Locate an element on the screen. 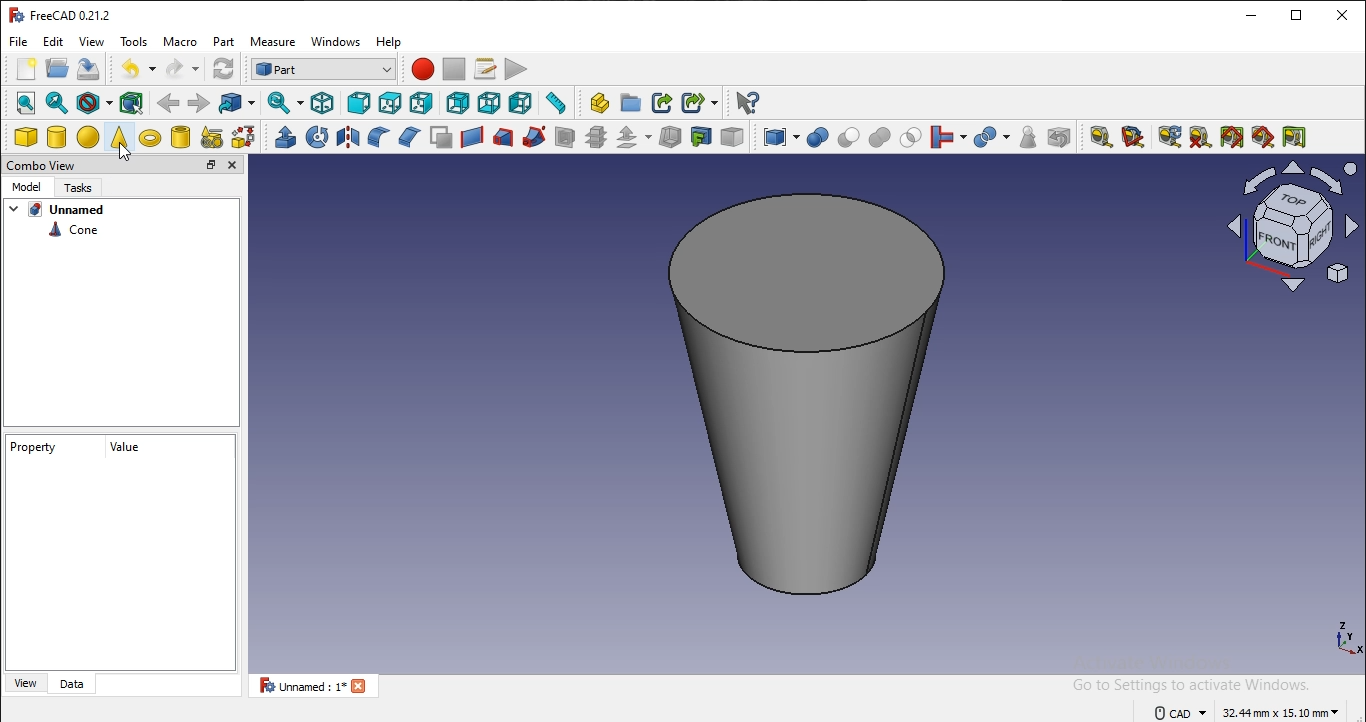  part is located at coordinates (226, 42).